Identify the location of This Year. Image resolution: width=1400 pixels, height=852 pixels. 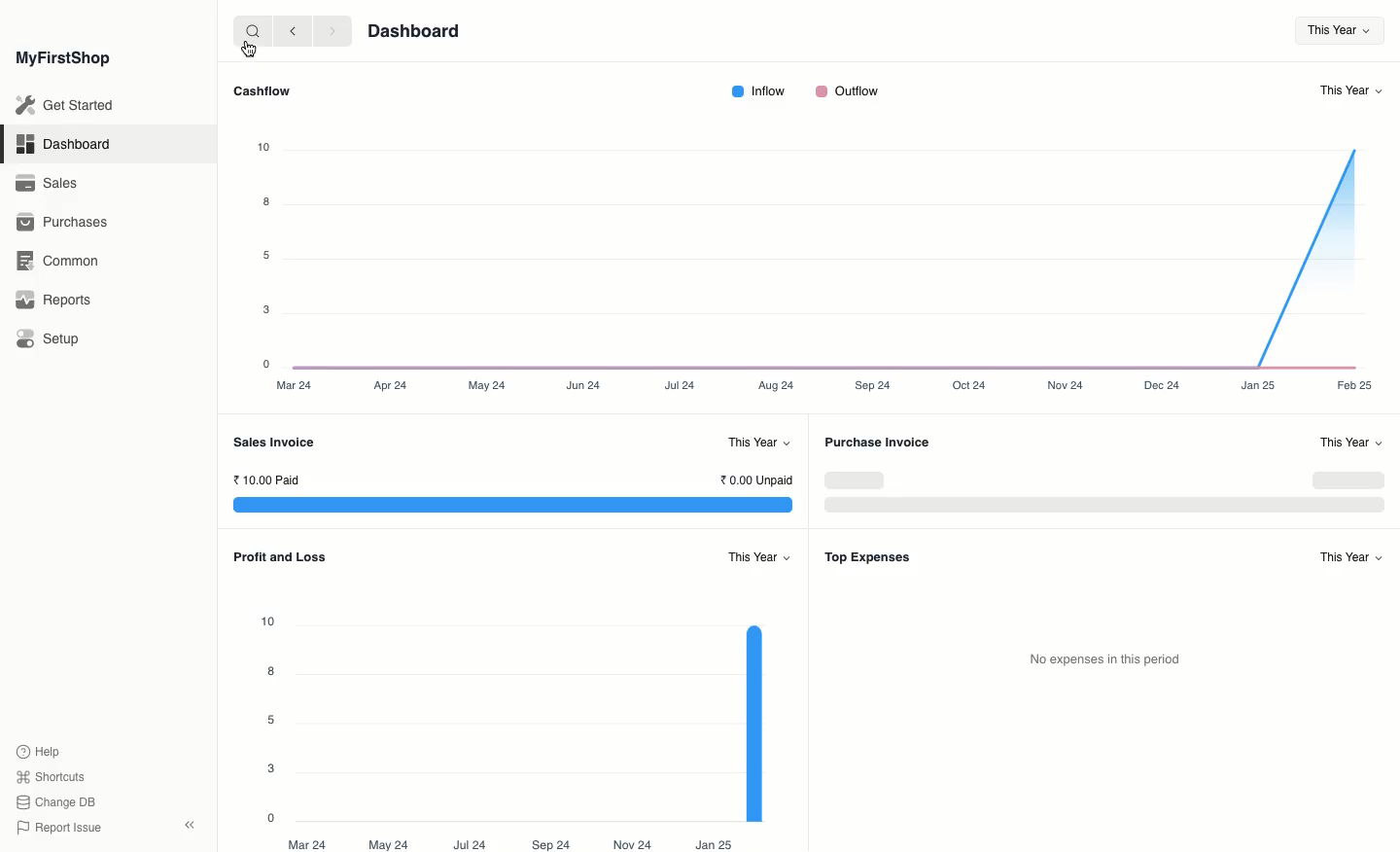
(1353, 91).